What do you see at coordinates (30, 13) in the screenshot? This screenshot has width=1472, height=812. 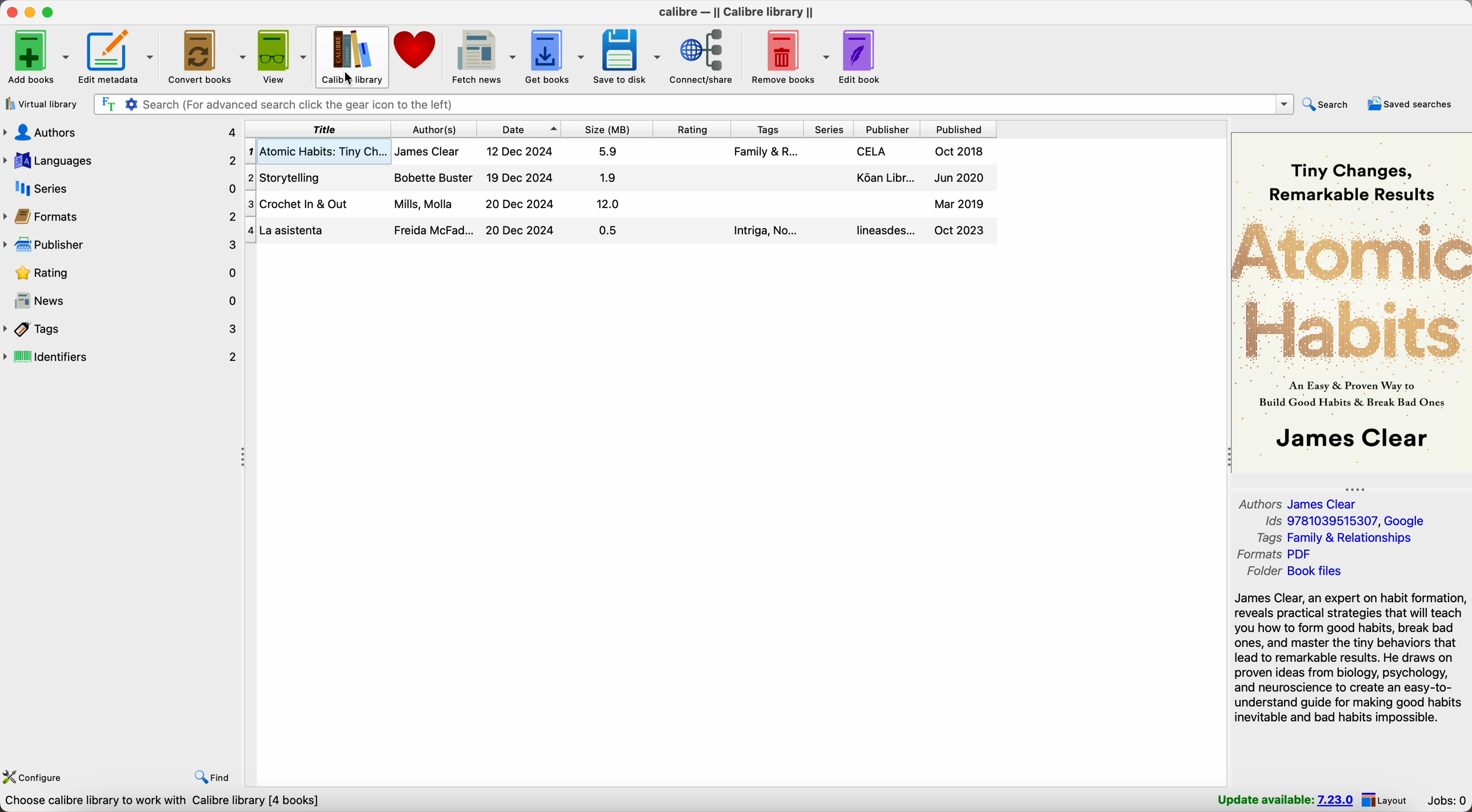 I see `minimize Calibre` at bounding box center [30, 13].